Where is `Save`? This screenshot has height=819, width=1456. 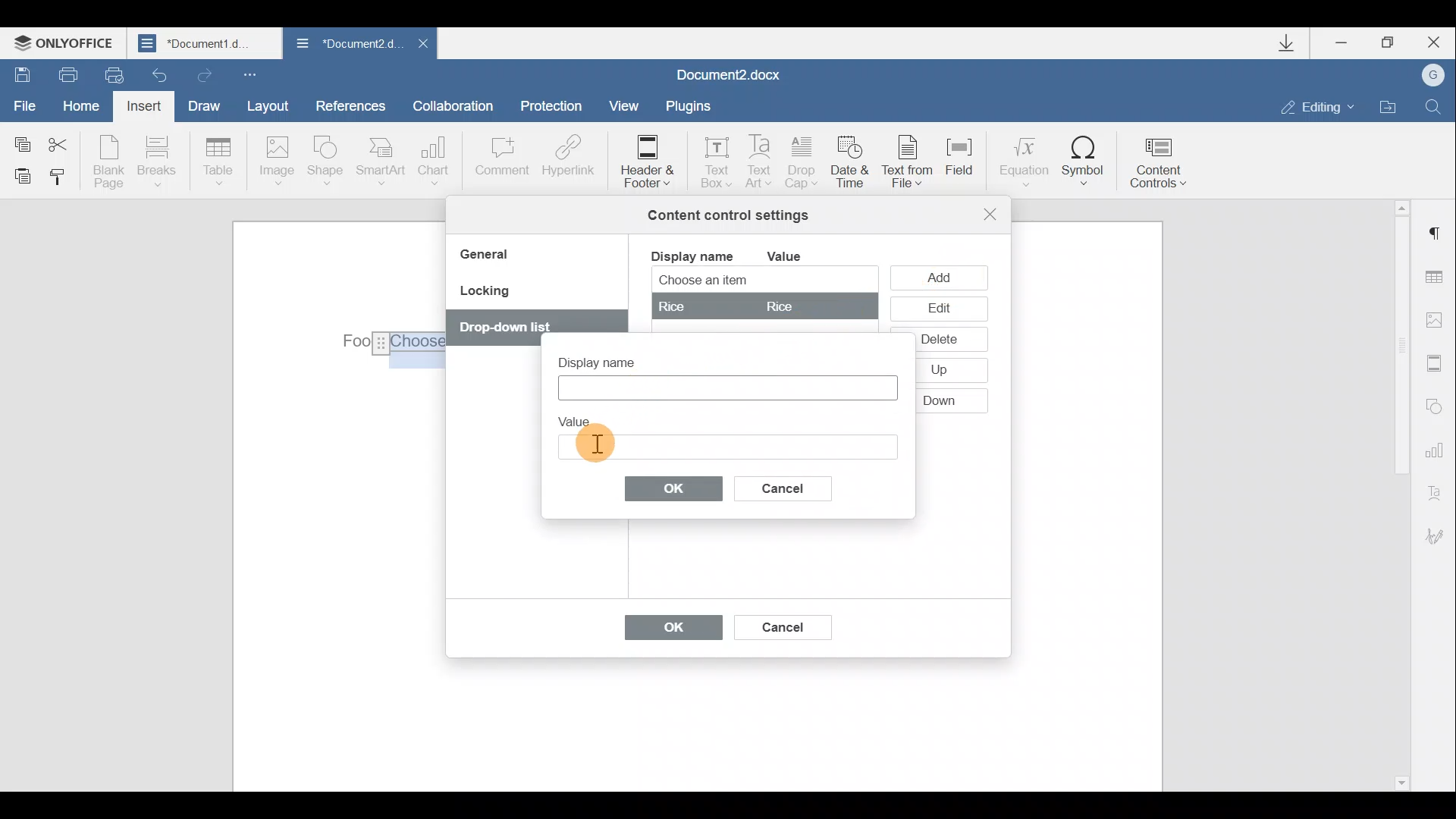 Save is located at coordinates (17, 73).